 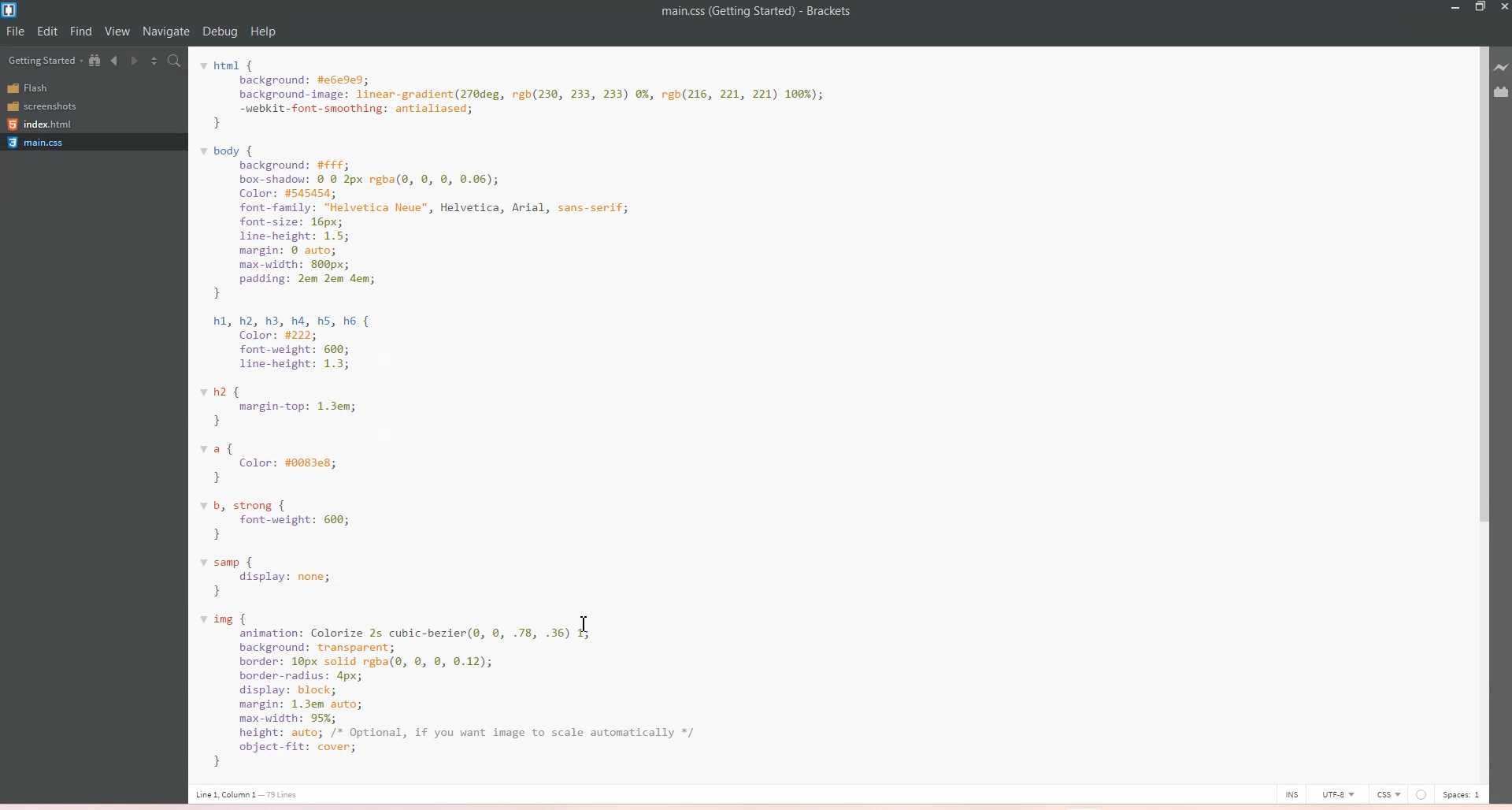 What do you see at coordinates (44, 60) in the screenshot?
I see `Getting Started` at bounding box center [44, 60].